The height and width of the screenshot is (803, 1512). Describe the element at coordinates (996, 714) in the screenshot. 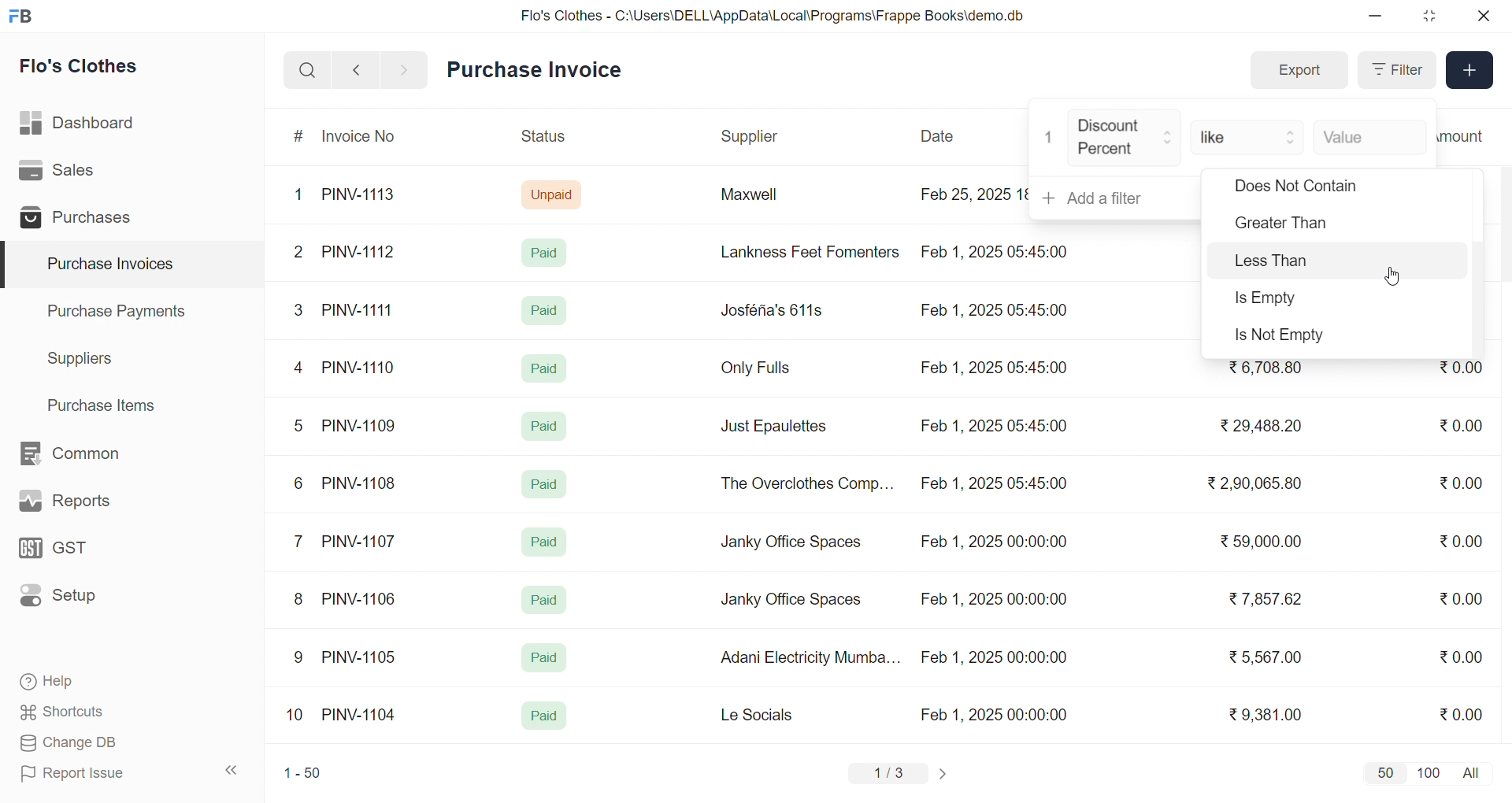

I see `Feb 1, 2025 00:00:00` at that location.